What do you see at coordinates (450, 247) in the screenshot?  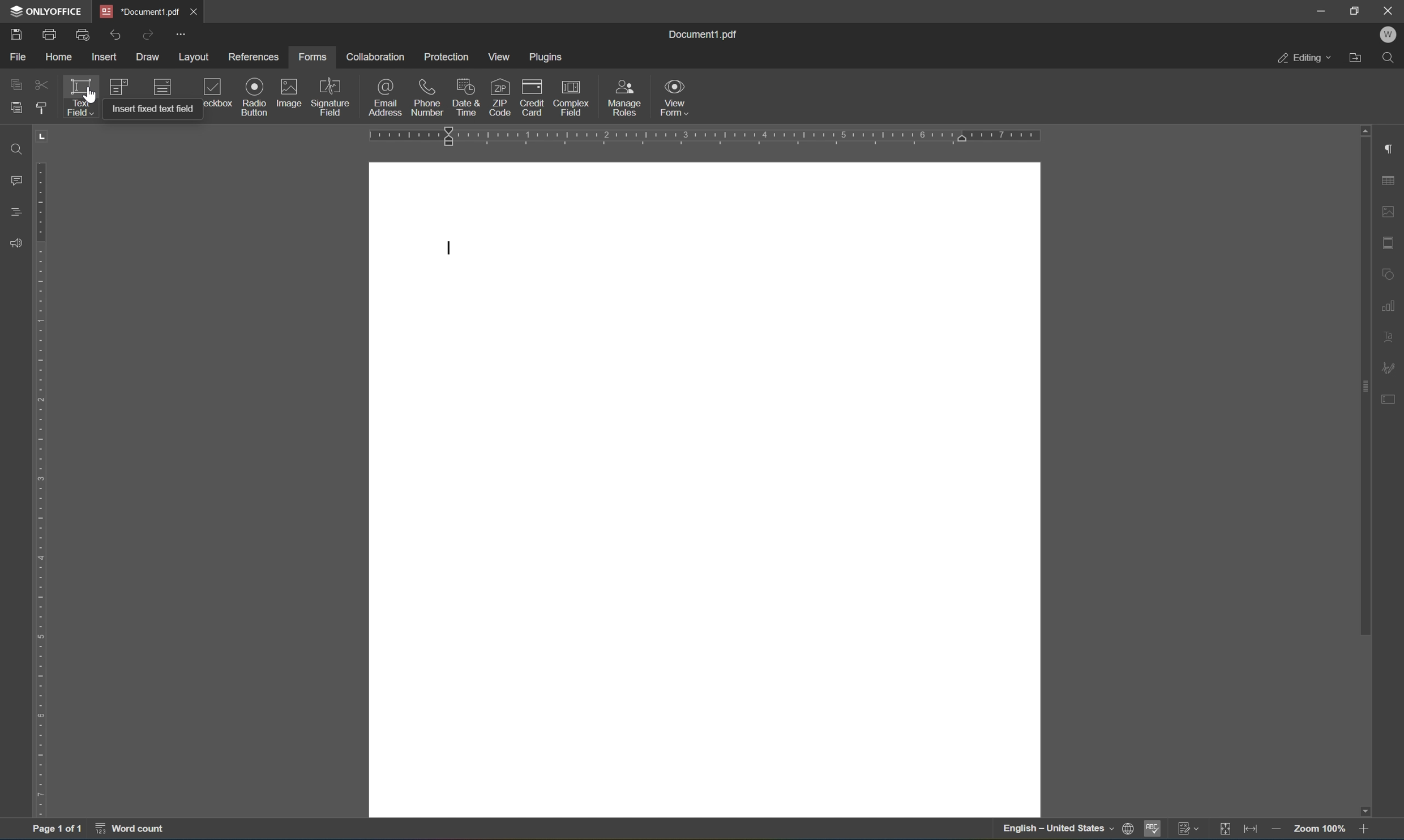 I see `typing cursor` at bounding box center [450, 247].